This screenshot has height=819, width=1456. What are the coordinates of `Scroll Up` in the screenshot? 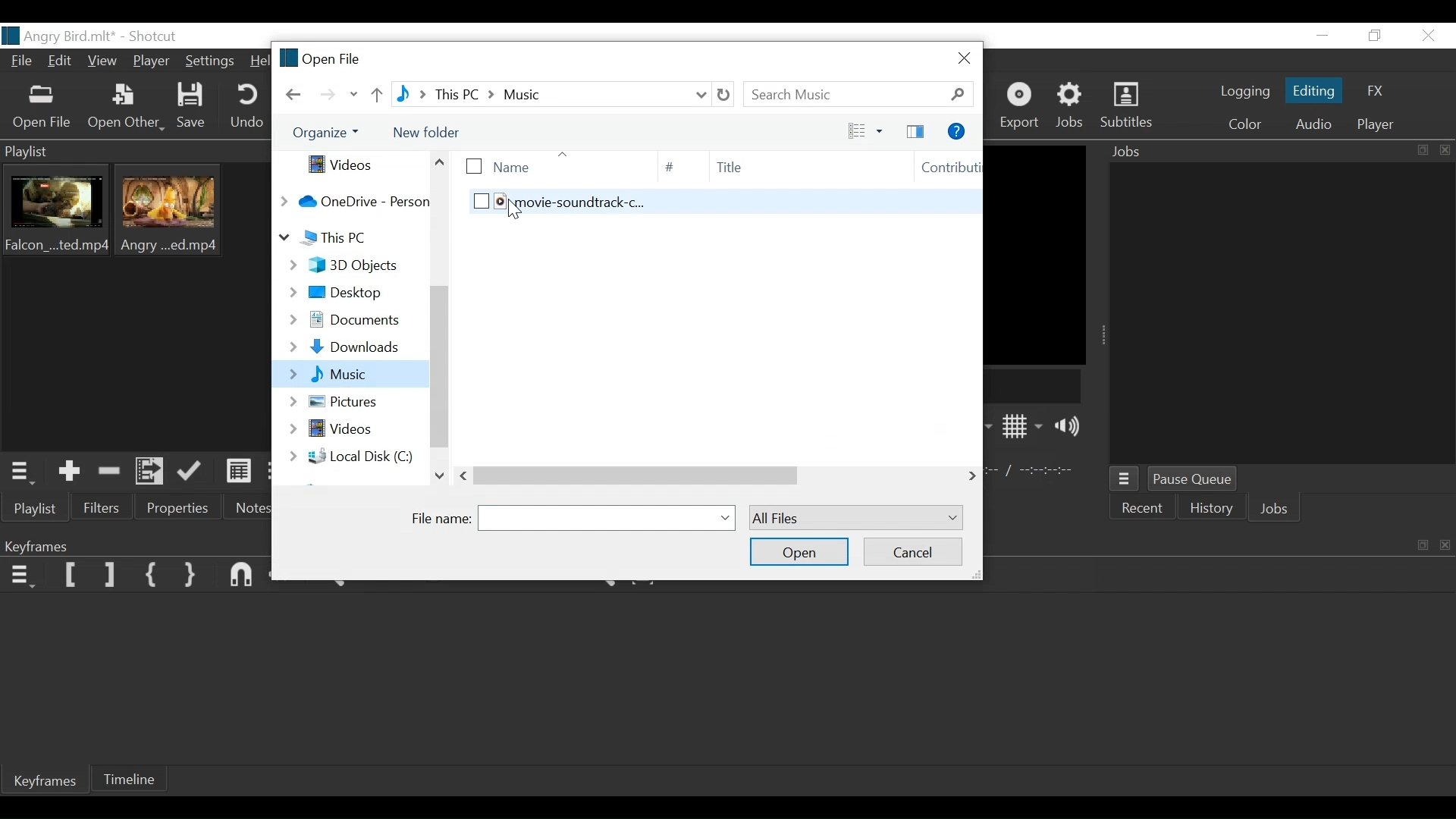 It's located at (440, 162).